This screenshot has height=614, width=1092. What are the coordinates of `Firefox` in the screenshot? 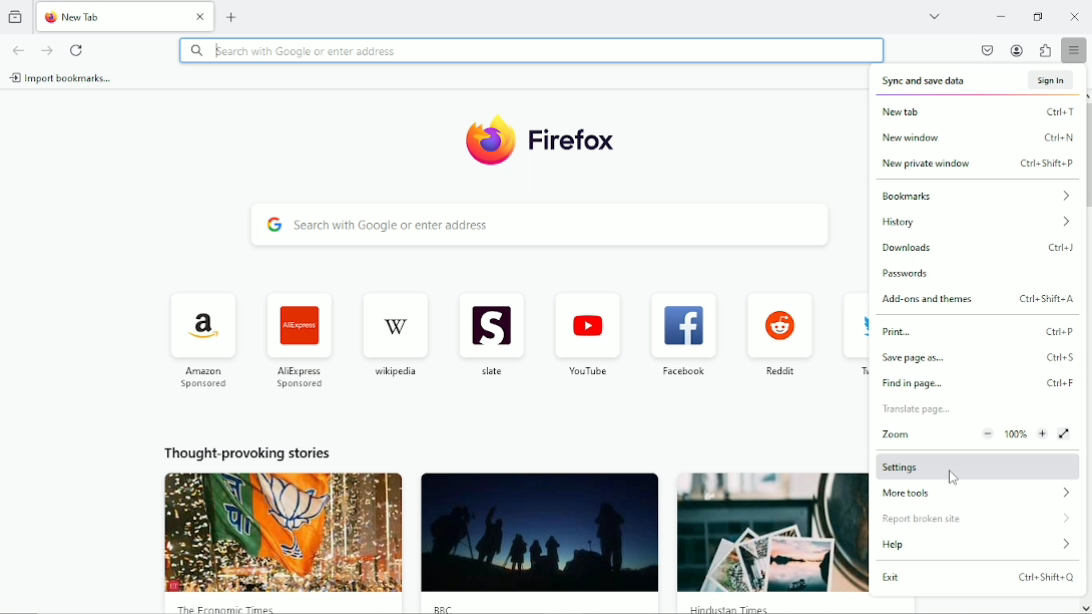 It's located at (575, 144).